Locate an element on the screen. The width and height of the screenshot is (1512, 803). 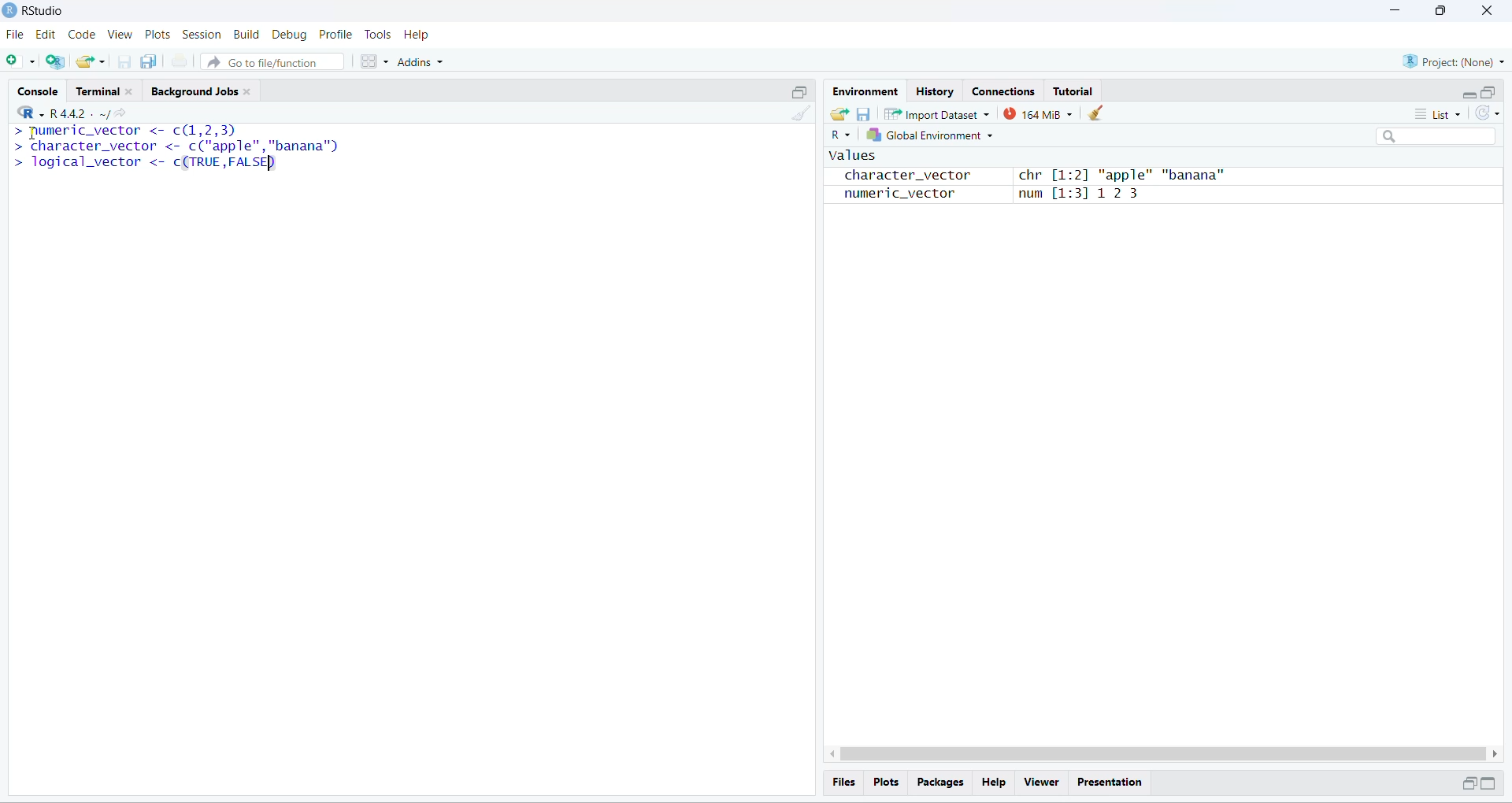
RStudio is located at coordinates (47, 9).